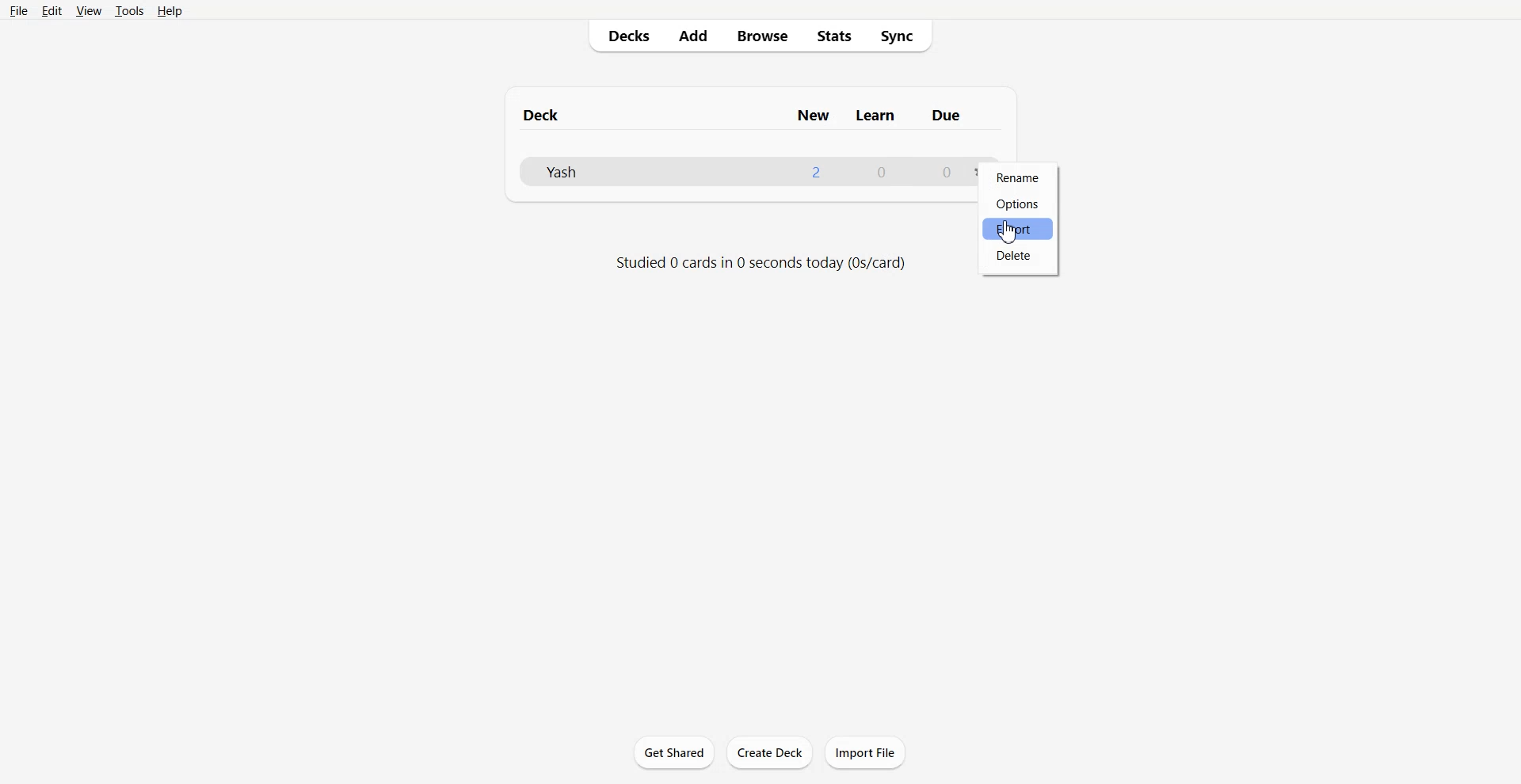 Image resolution: width=1521 pixels, height=784 pixels. What do you see at coordinates (882, 173) in the screenshot?
I see `0` at bounding box center [882, 173].